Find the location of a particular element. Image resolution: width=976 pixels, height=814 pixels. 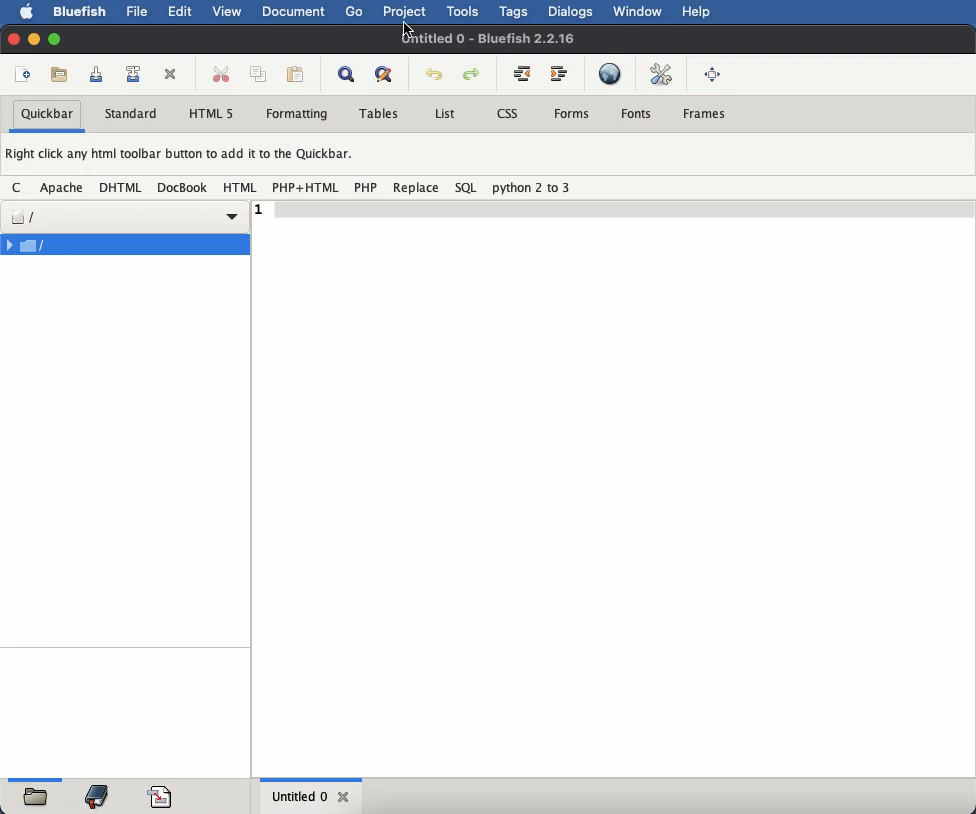

php is located at coordinates (365, 187).